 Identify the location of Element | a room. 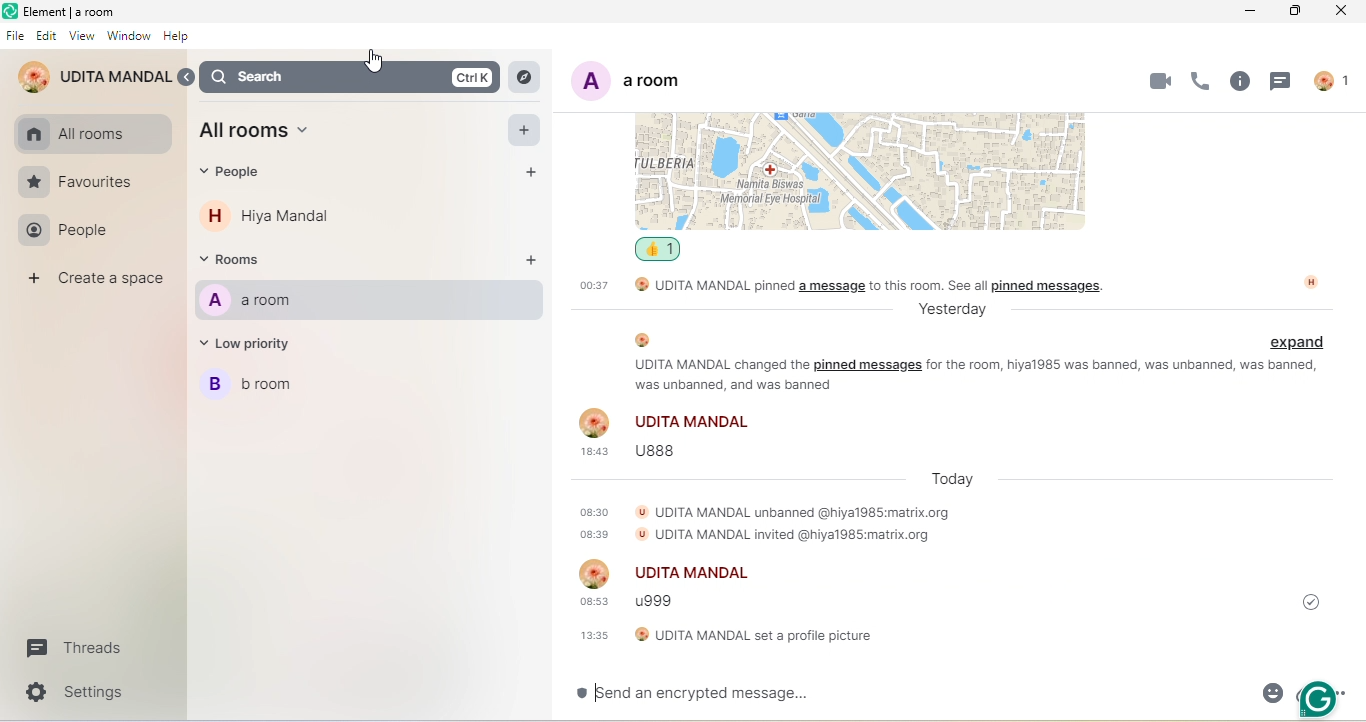
(70, 11).